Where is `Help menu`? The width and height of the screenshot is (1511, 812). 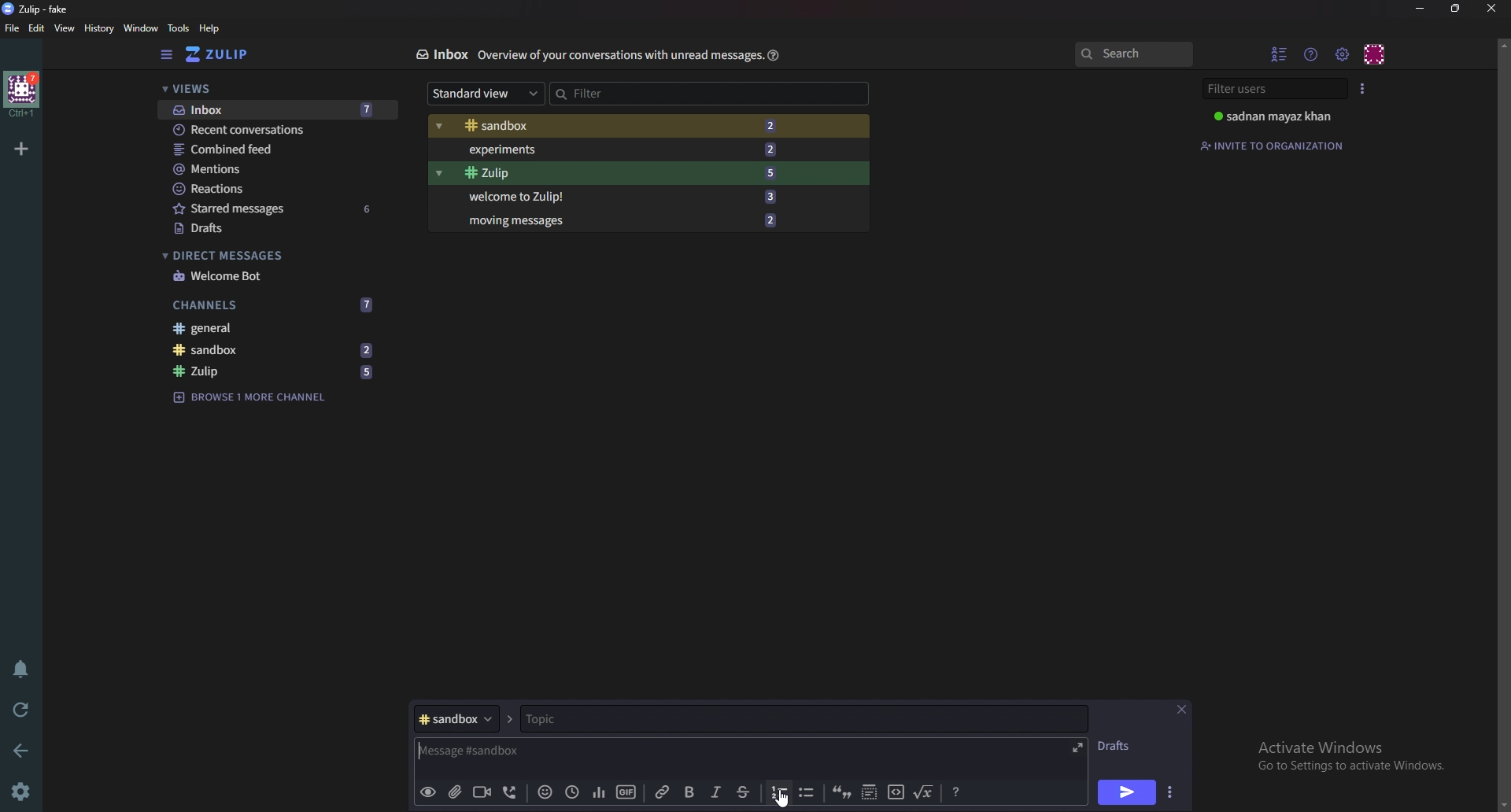
Help menu is located at coordinates (1313, 54).